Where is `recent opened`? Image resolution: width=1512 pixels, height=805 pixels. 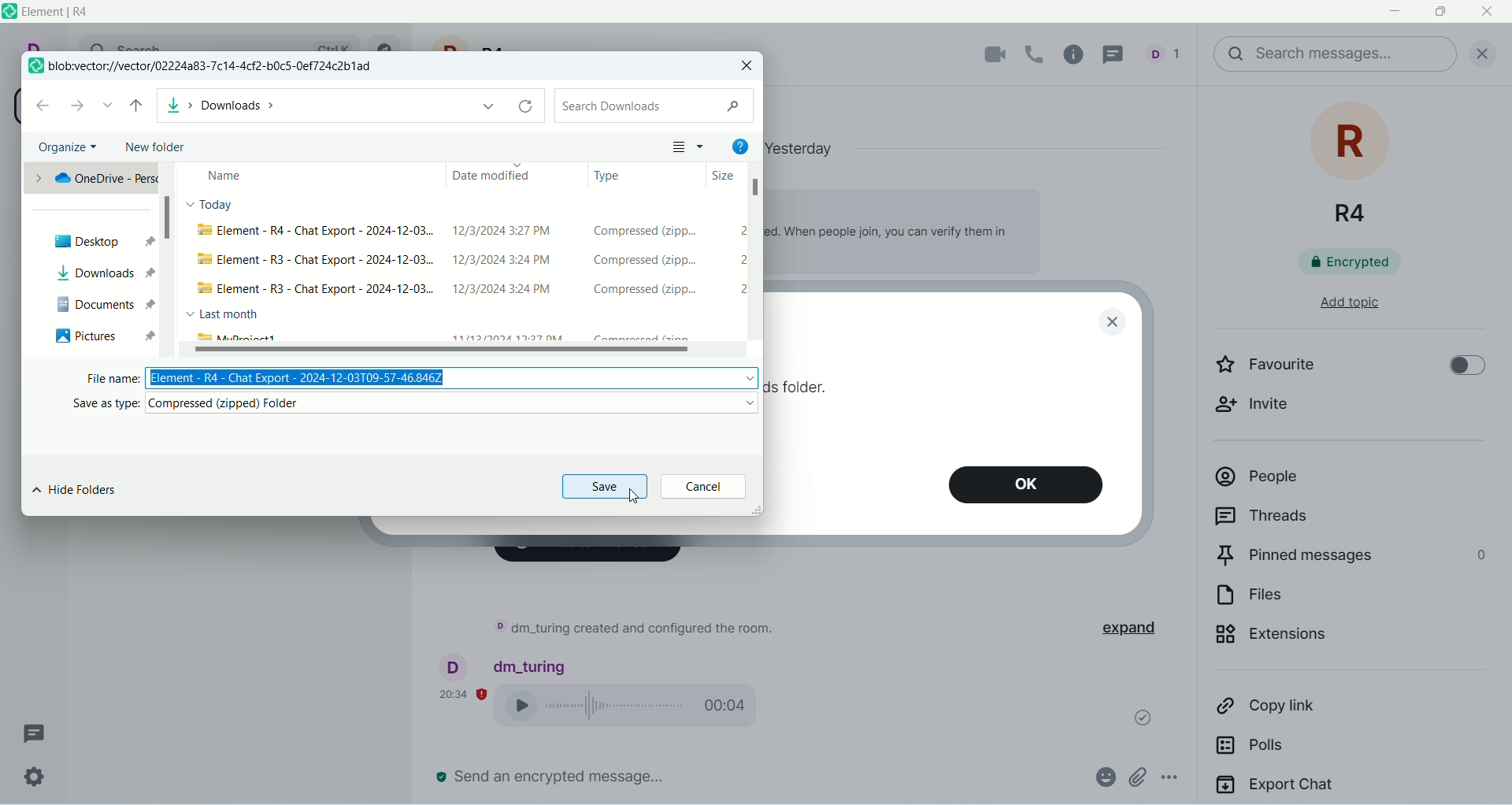 recent opened is located at coordinates (109, 106).